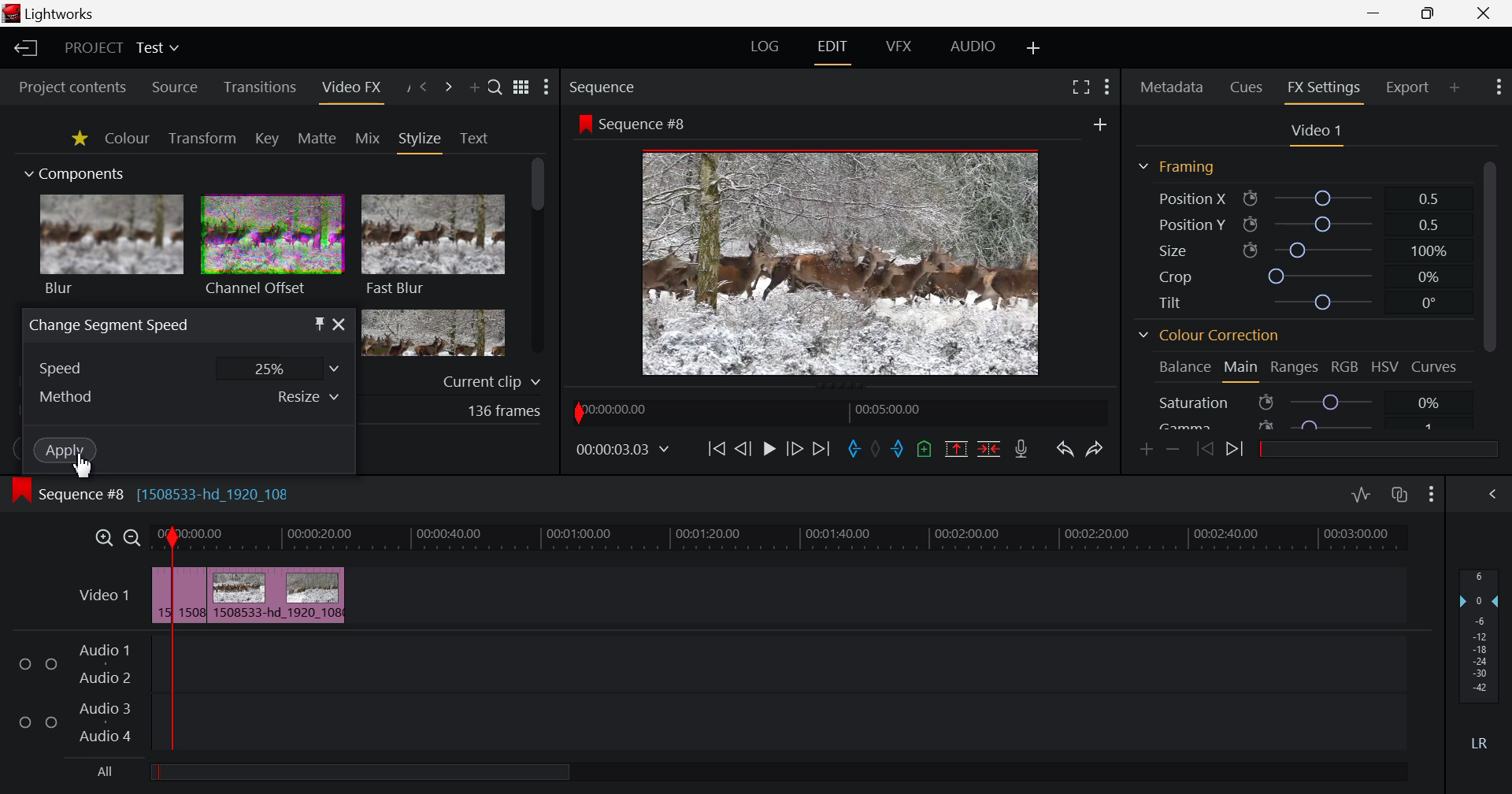 The width and height of the screenshot is (1512, 794). Describe the element at coordinates (52, 13) in the screenshot. I see `Lightworks` at that location.